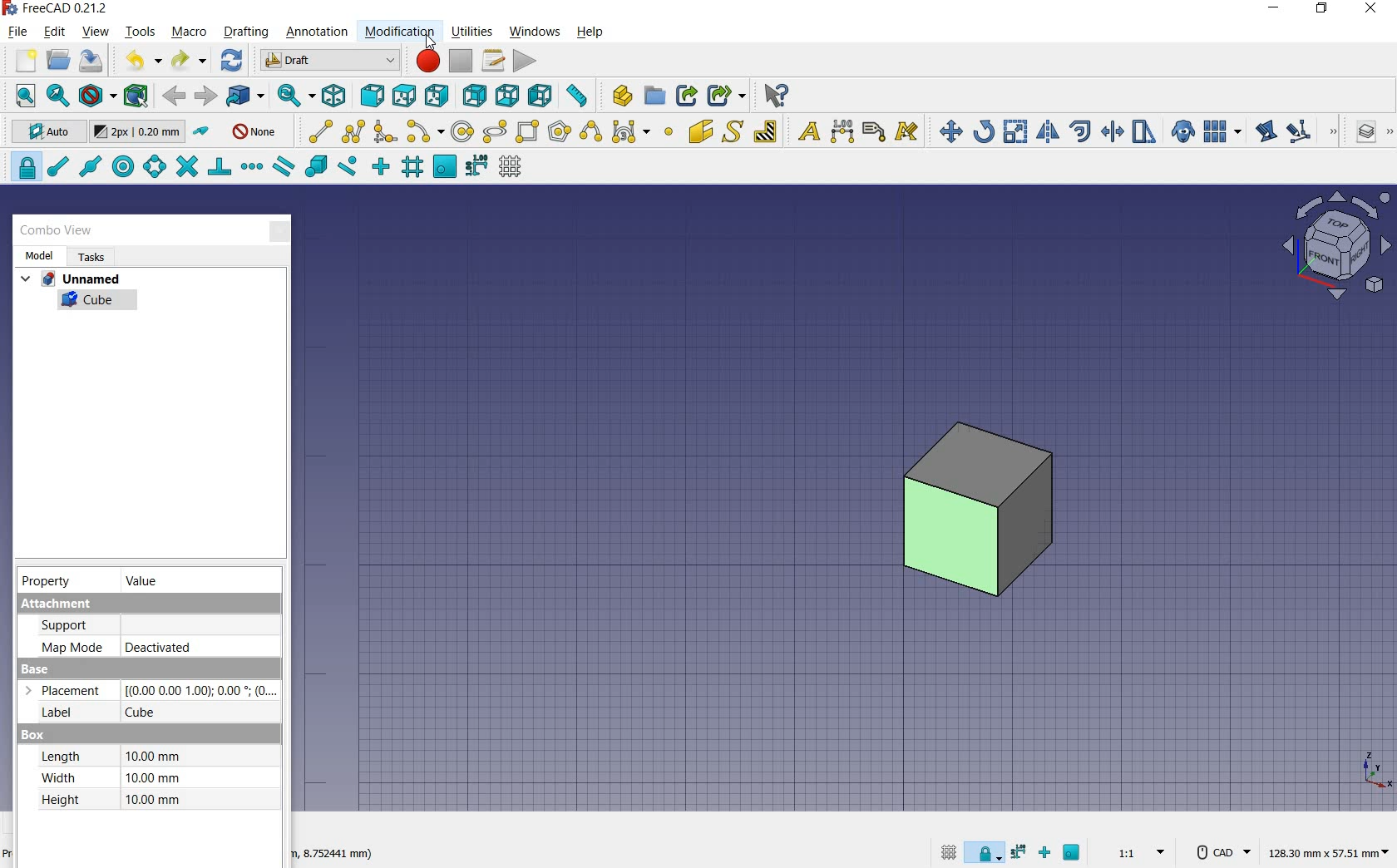 Image resolution: width=1397 pixels, height=868 pixels. What do you see at coordinates (91, 62) in the screenshot?
I see `save` at bounding box center [91, 62].